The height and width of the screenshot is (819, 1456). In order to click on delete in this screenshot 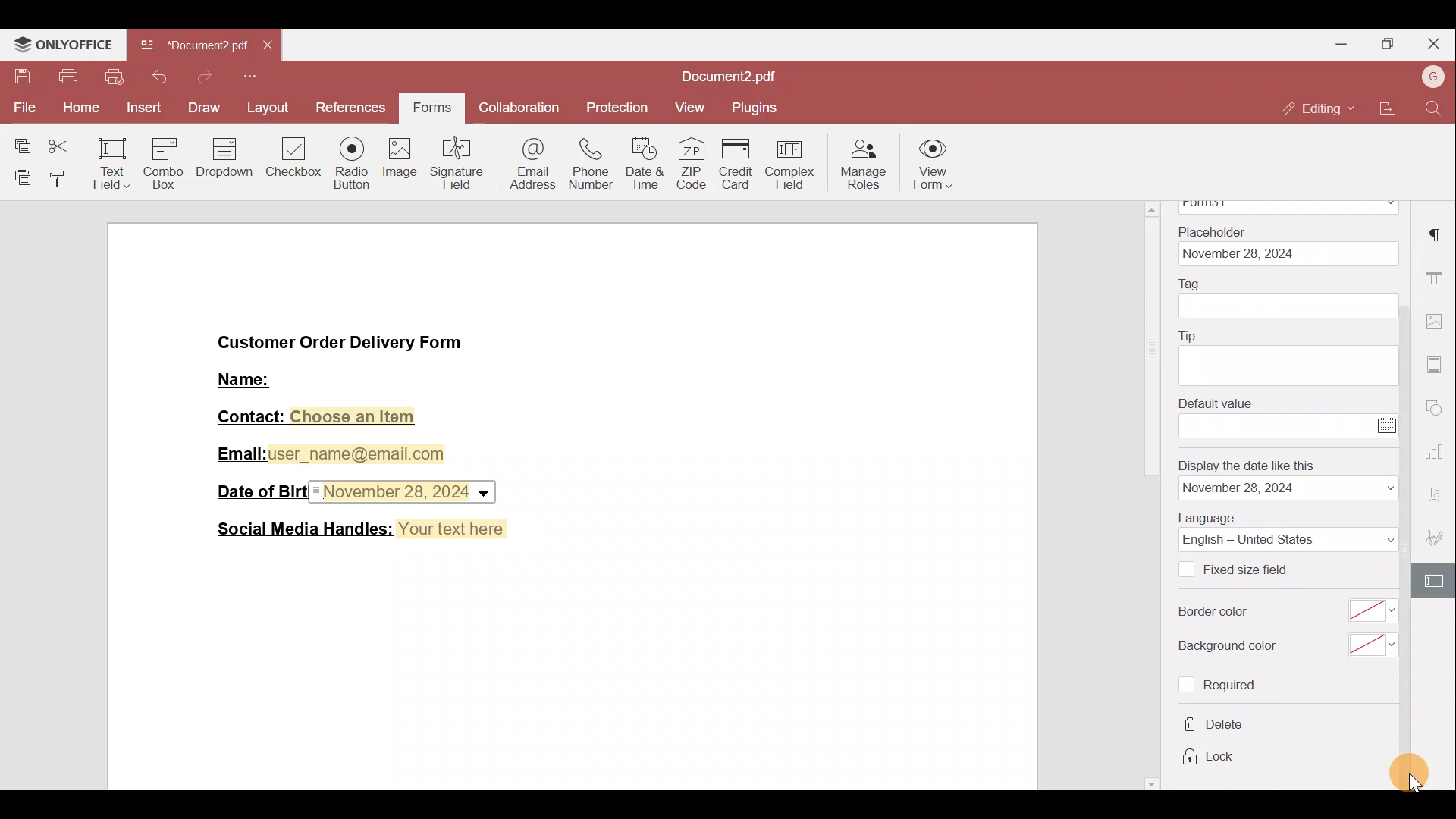, I will do `click(1216, 725)`.